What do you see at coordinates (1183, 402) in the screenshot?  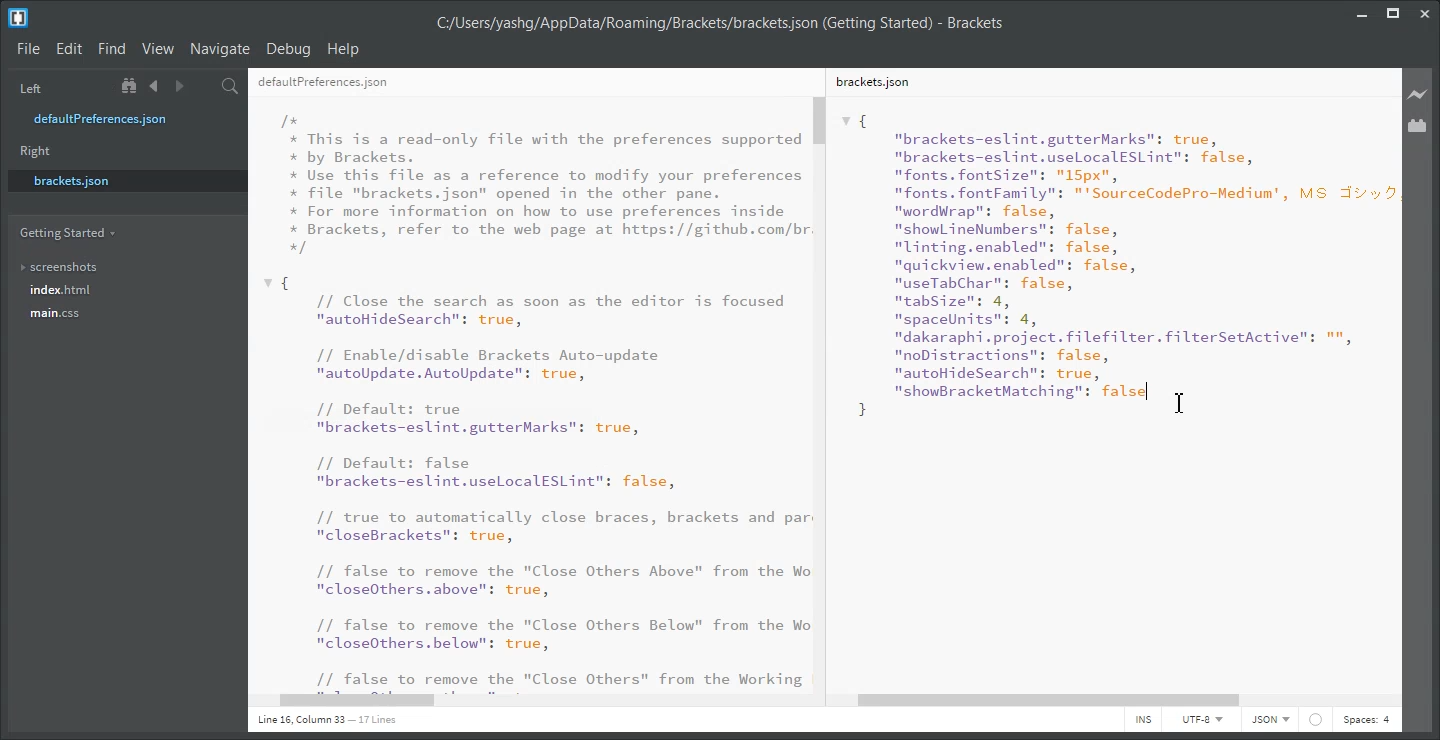 I see `cursor` at bounding box center [1183, 402].